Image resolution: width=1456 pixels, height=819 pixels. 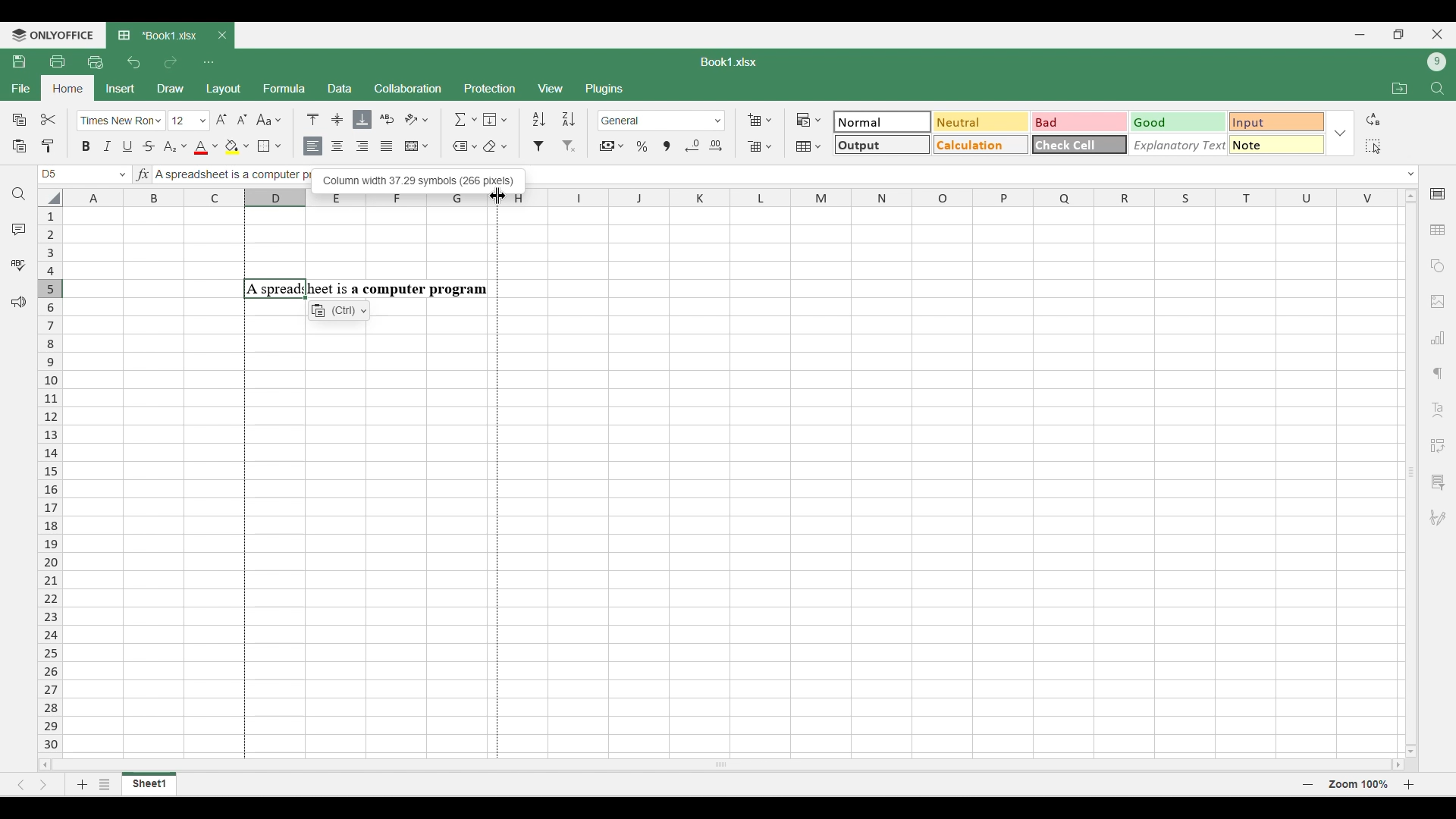 What do you see at coordinates (552, 89) in the screenshot?
I see `View menu` at bounding box center [552, 89].